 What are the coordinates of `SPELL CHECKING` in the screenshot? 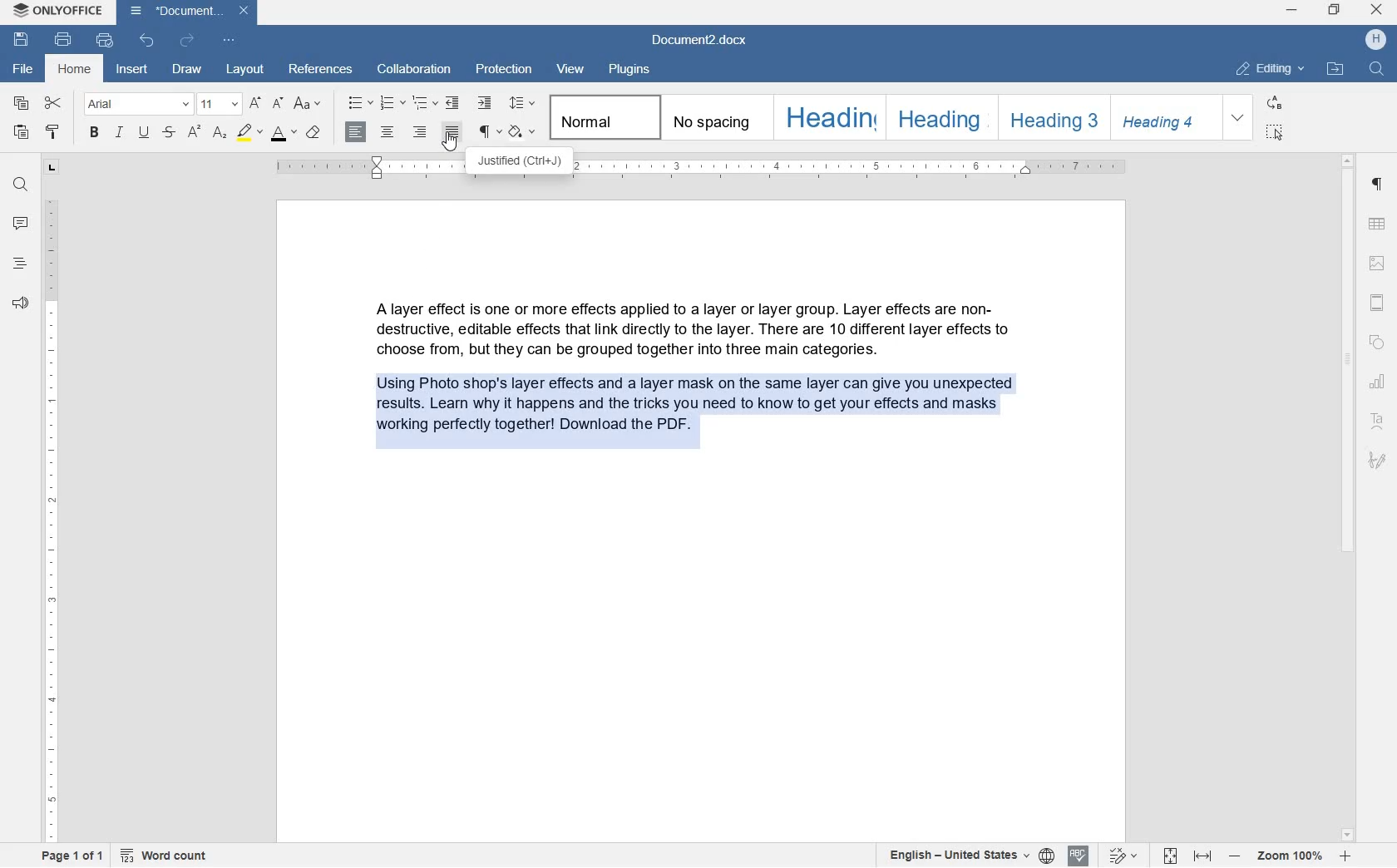 It's located at (1079, 856).